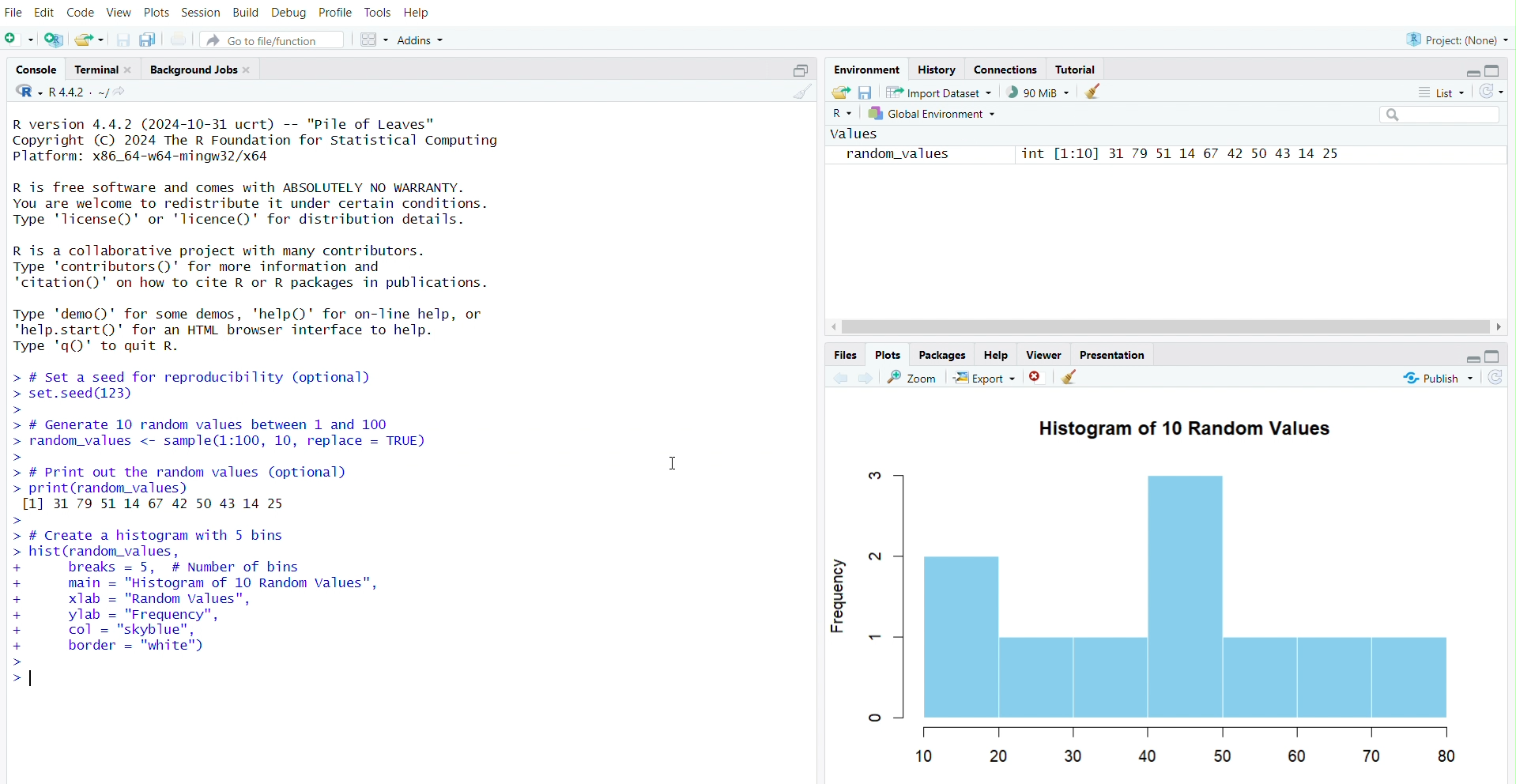 Image resolution: width=1516 pixels, height=784 pixels. What do you see at coordinates (835, 379) in the screenshot?
I see `previous plot` at bounding box center [835, 379].